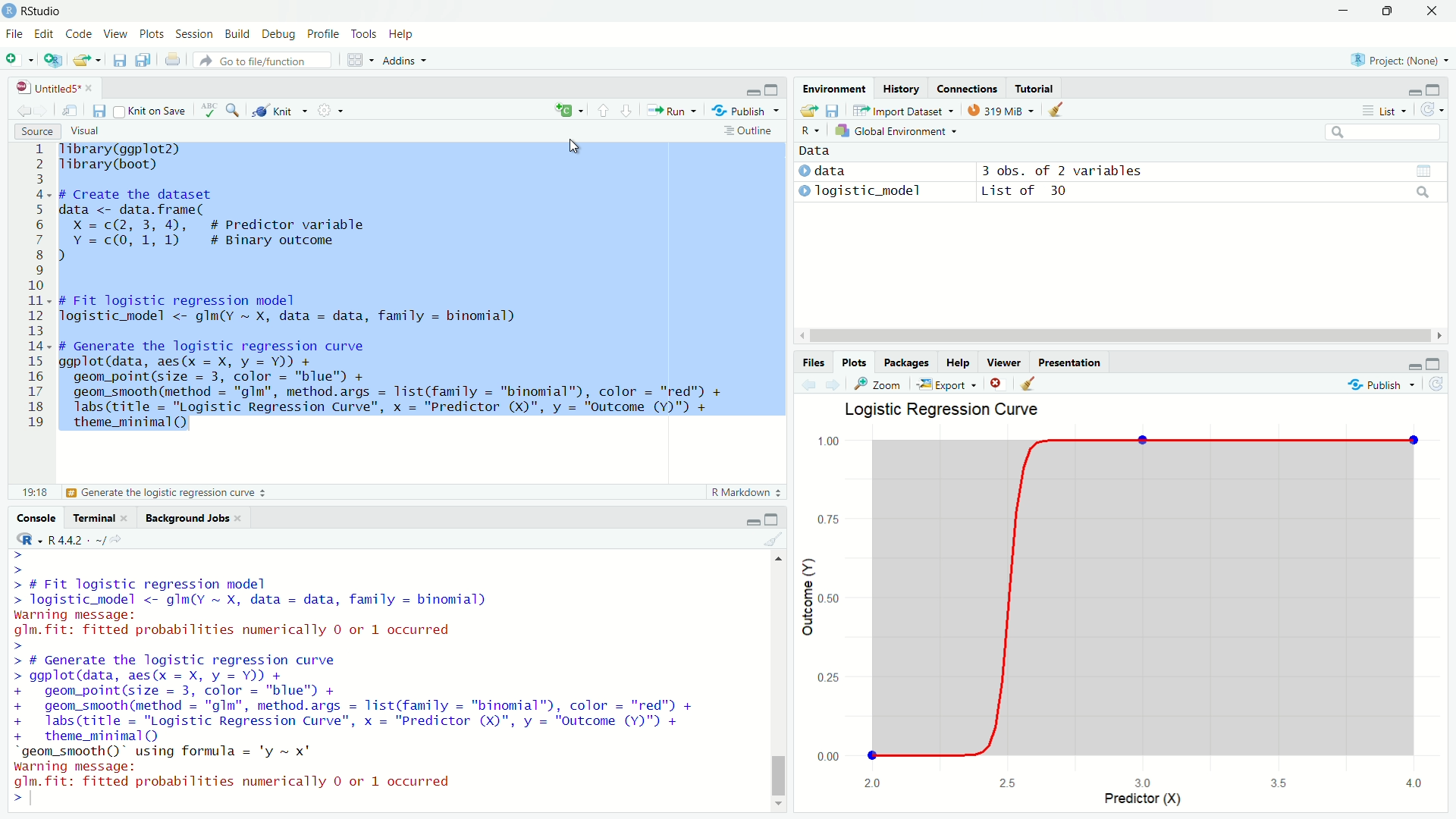 The width and height of the screenshot is (1456, 819). What do you see at coordinates (278, 33) in the screenshot?
I see `Debug` at bounding box center [278, 33].